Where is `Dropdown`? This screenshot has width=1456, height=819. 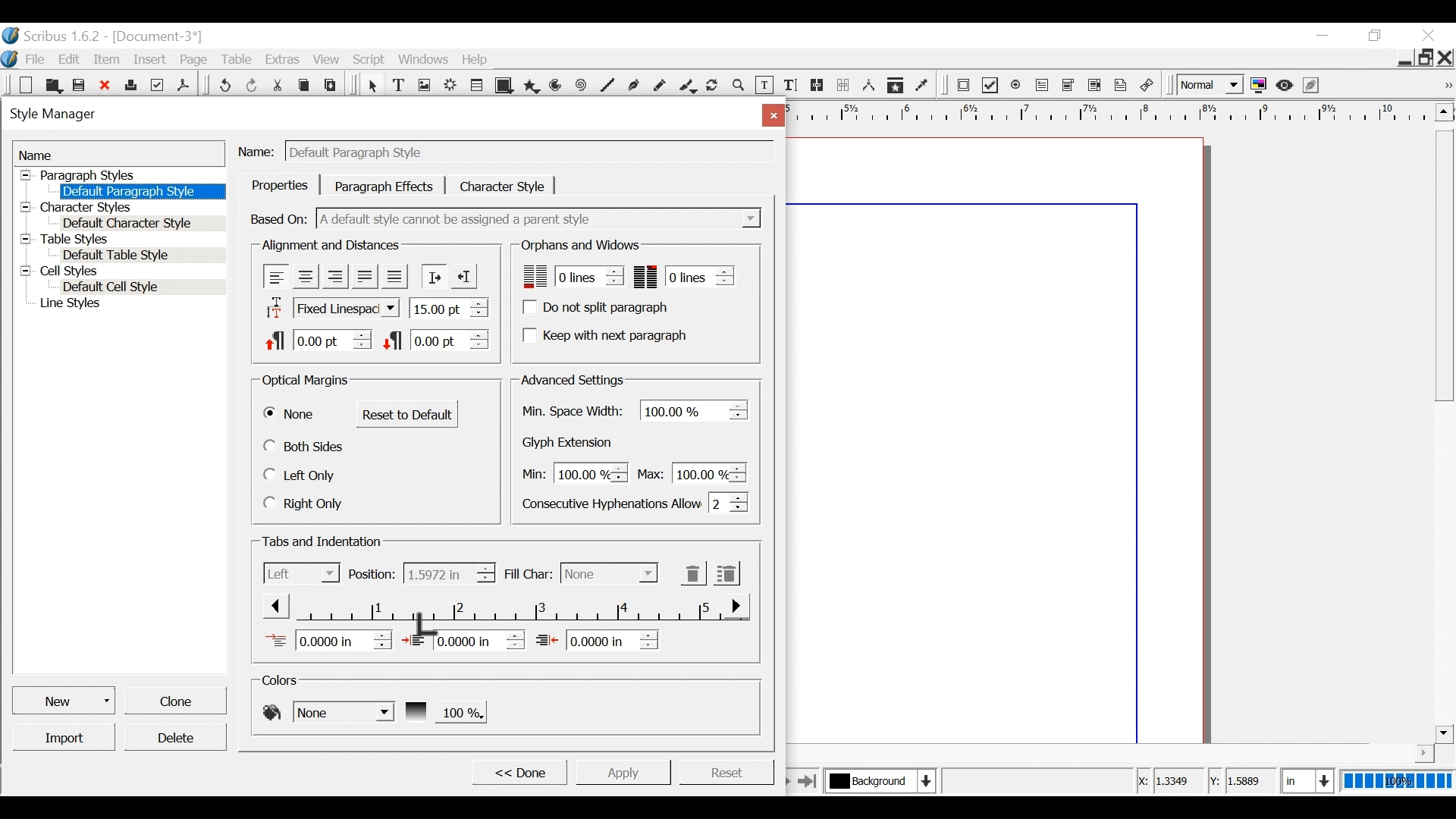
Dropdown is located at coordinates (541, 218).